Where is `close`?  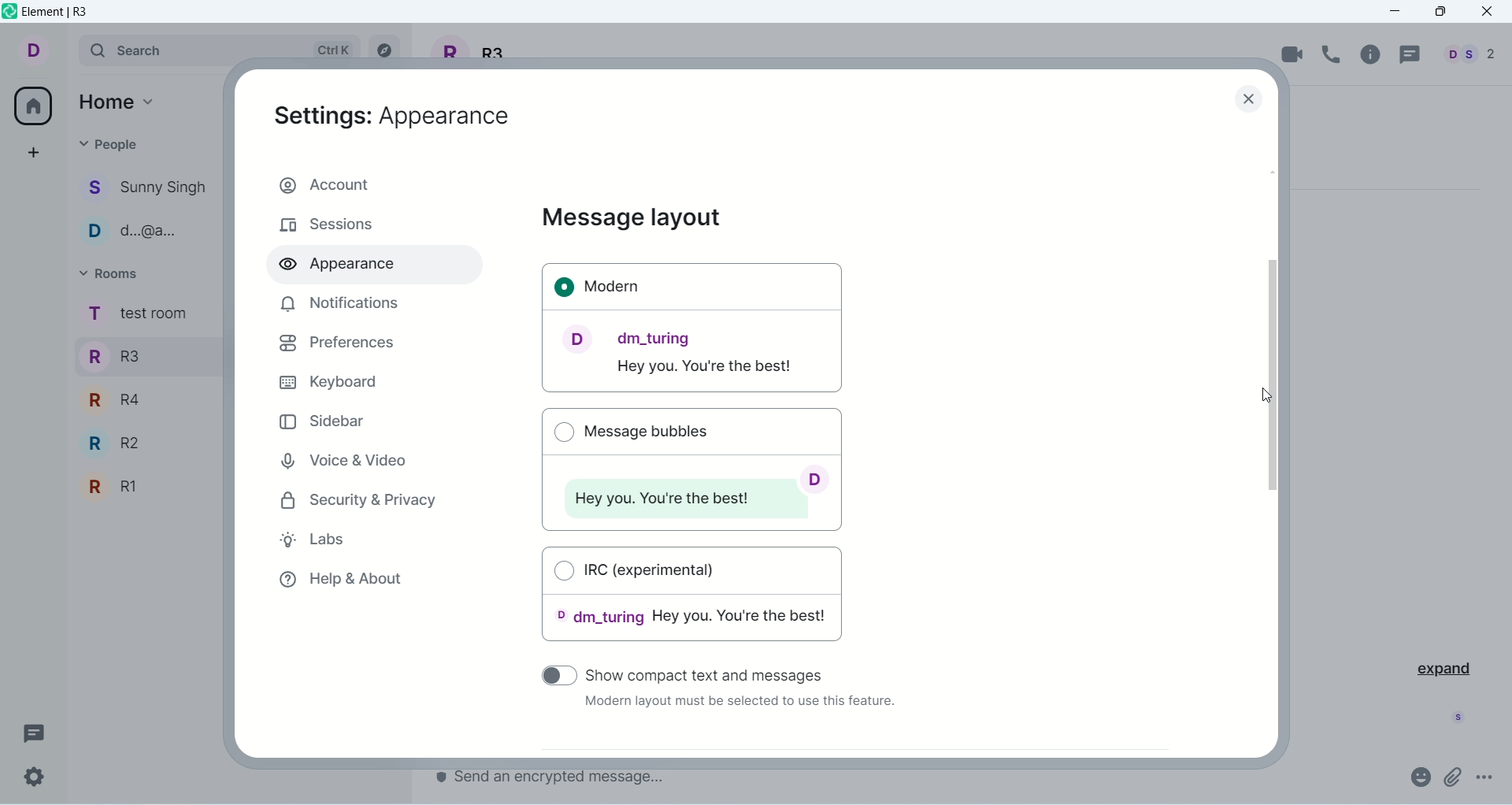
close is located at coordinates (1489, 13).